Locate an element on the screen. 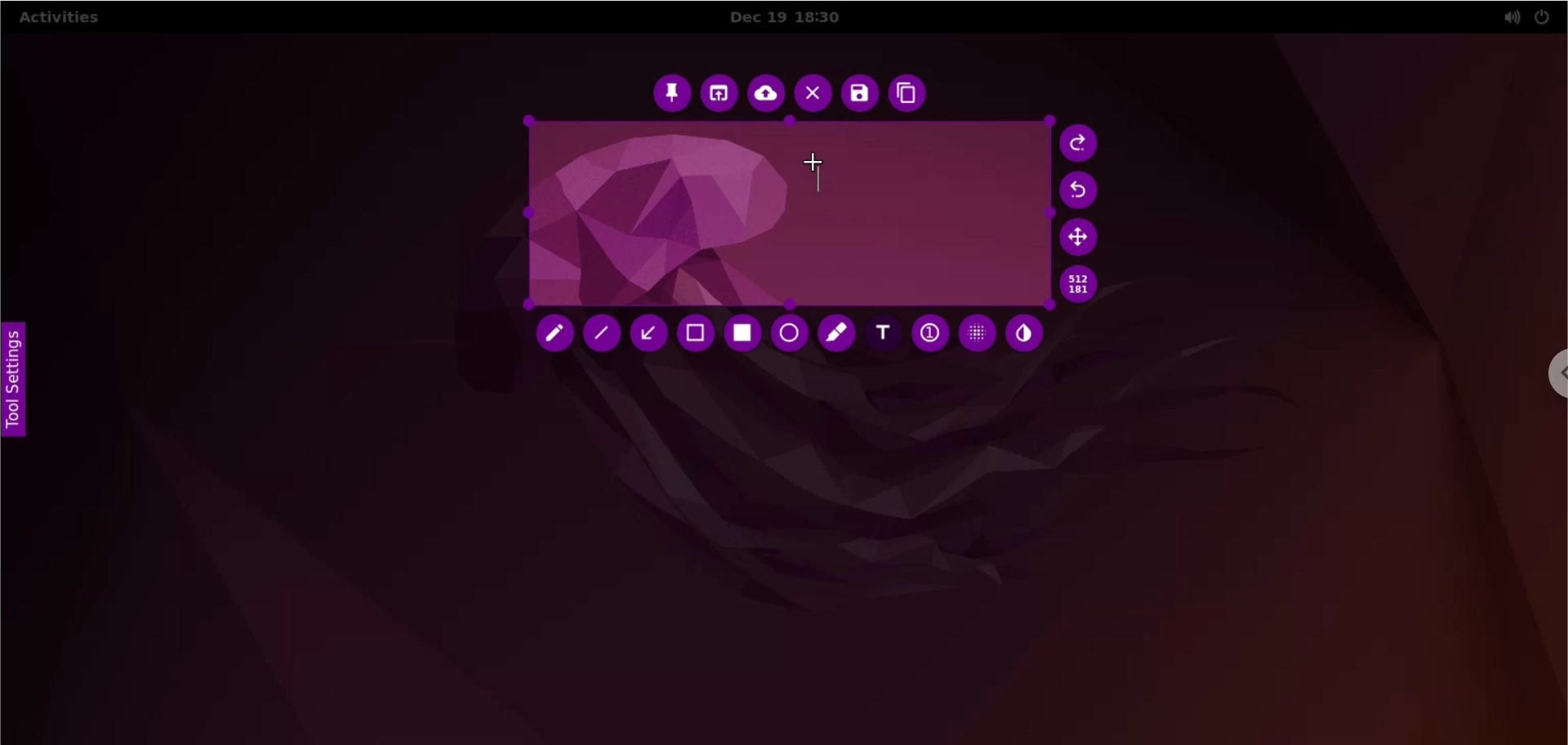  cursor is located at coordinates (814, 159).